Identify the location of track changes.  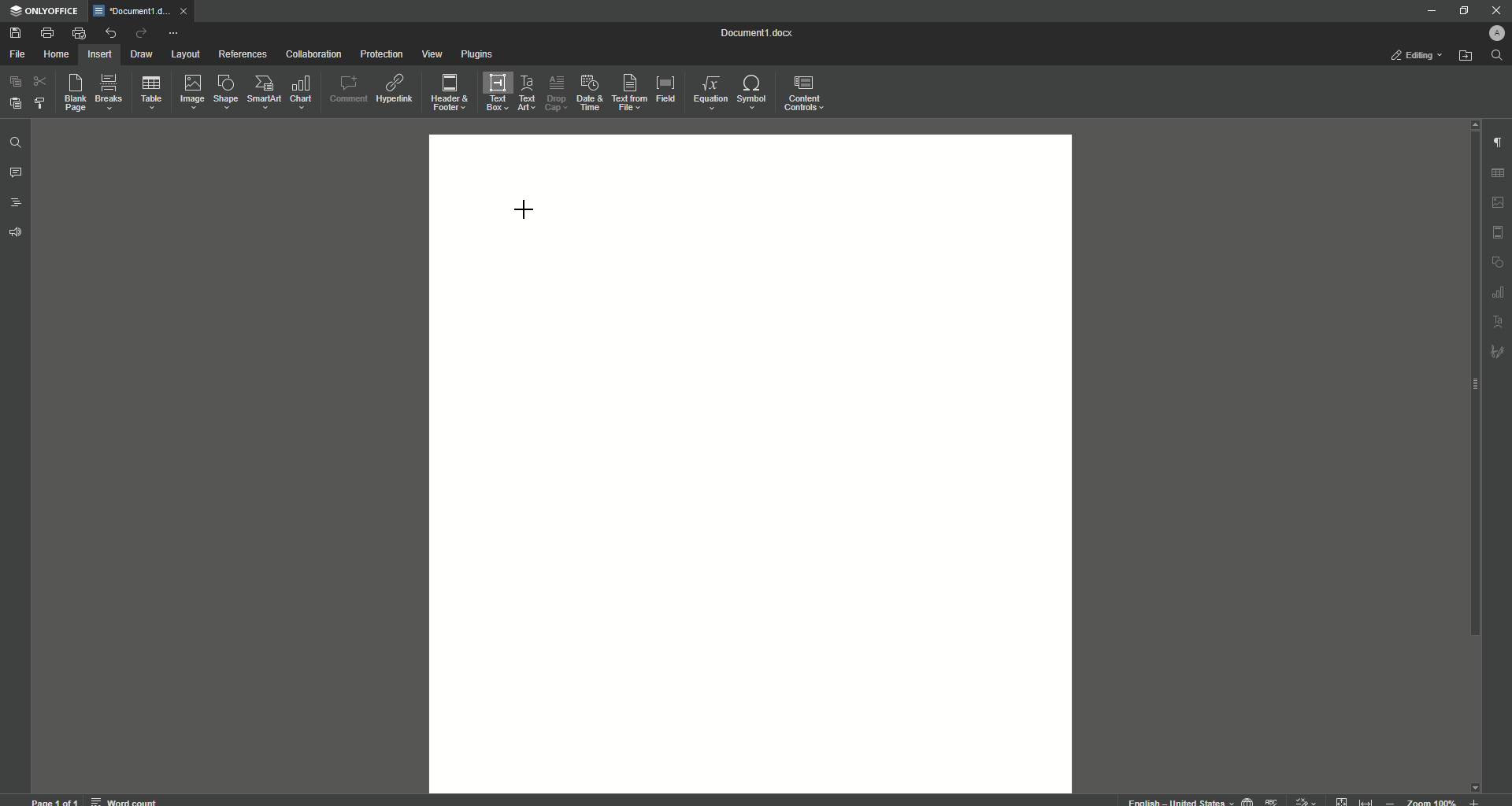
(1306, 800).